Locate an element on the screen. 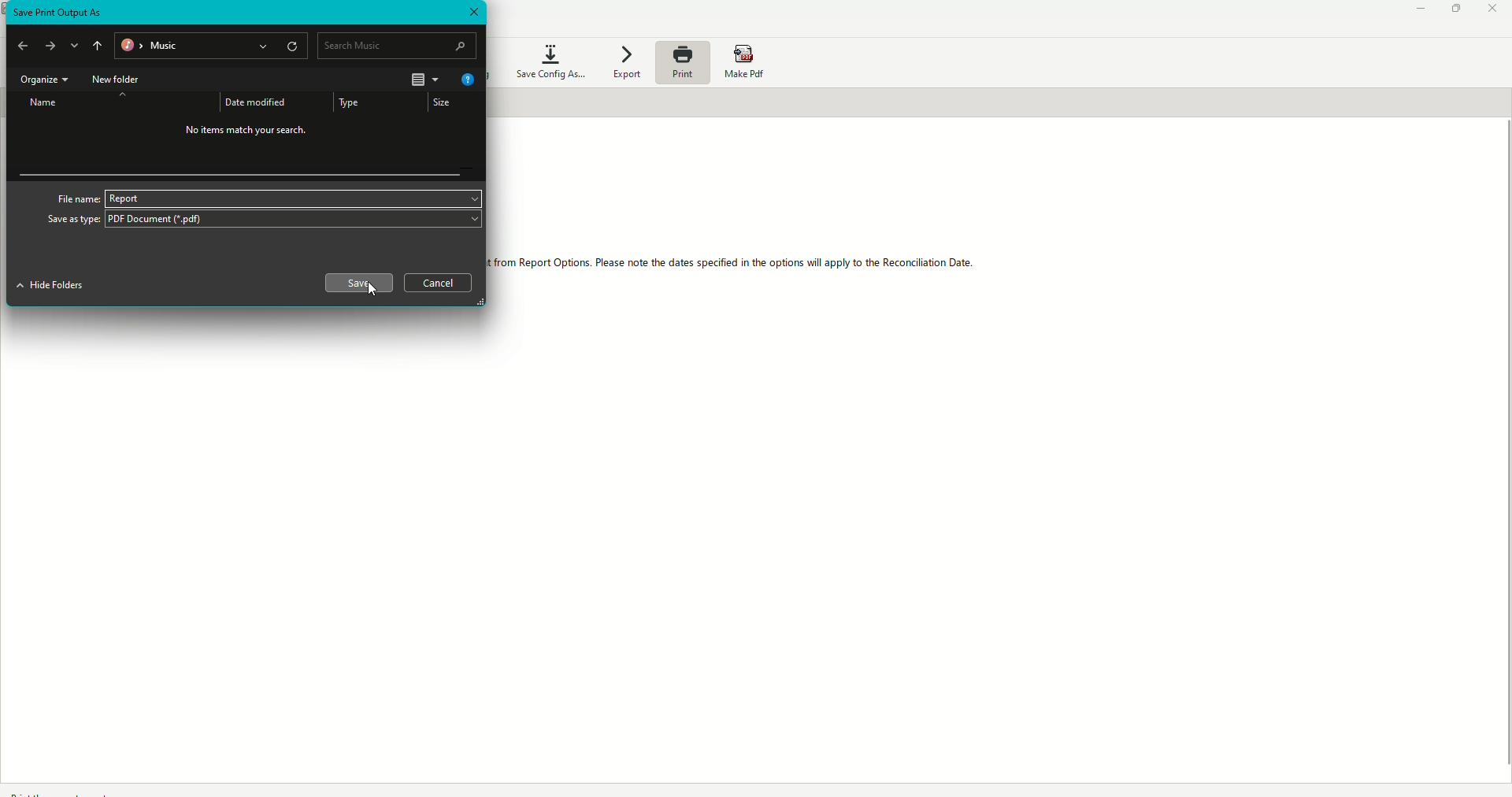  Save Print output as is located at coordinates (59, 12).